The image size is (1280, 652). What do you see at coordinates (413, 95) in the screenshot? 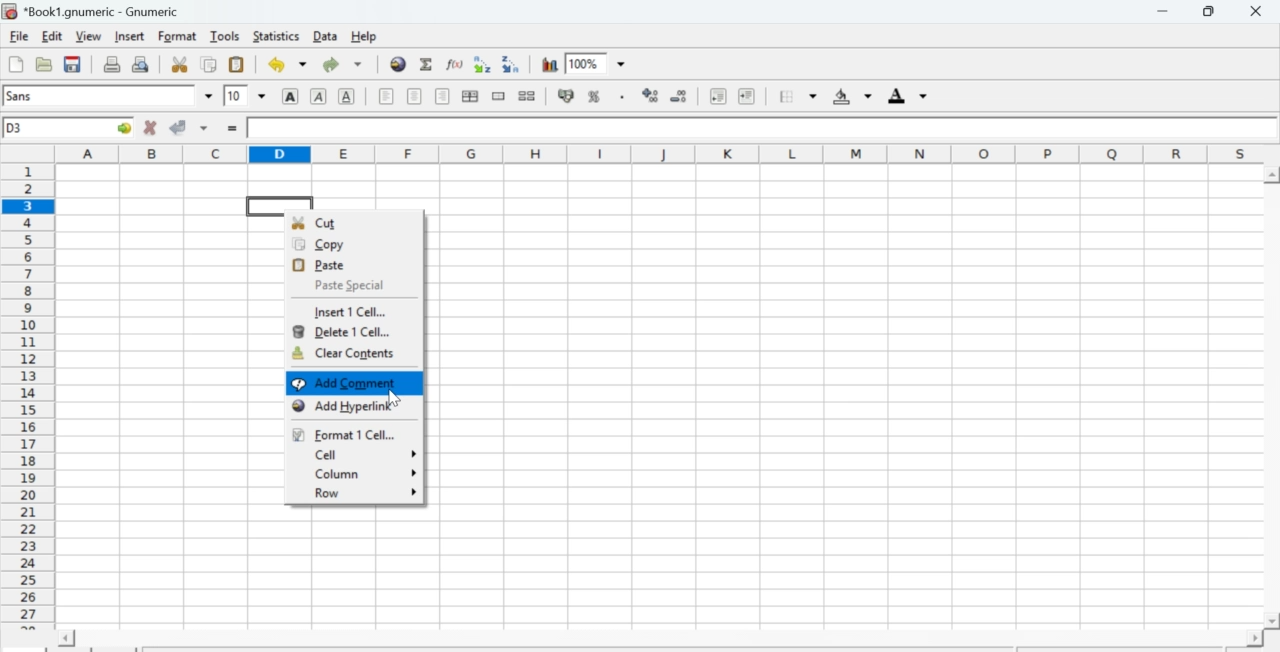
I see `Center horizontally` at bounding box center [413, 95].